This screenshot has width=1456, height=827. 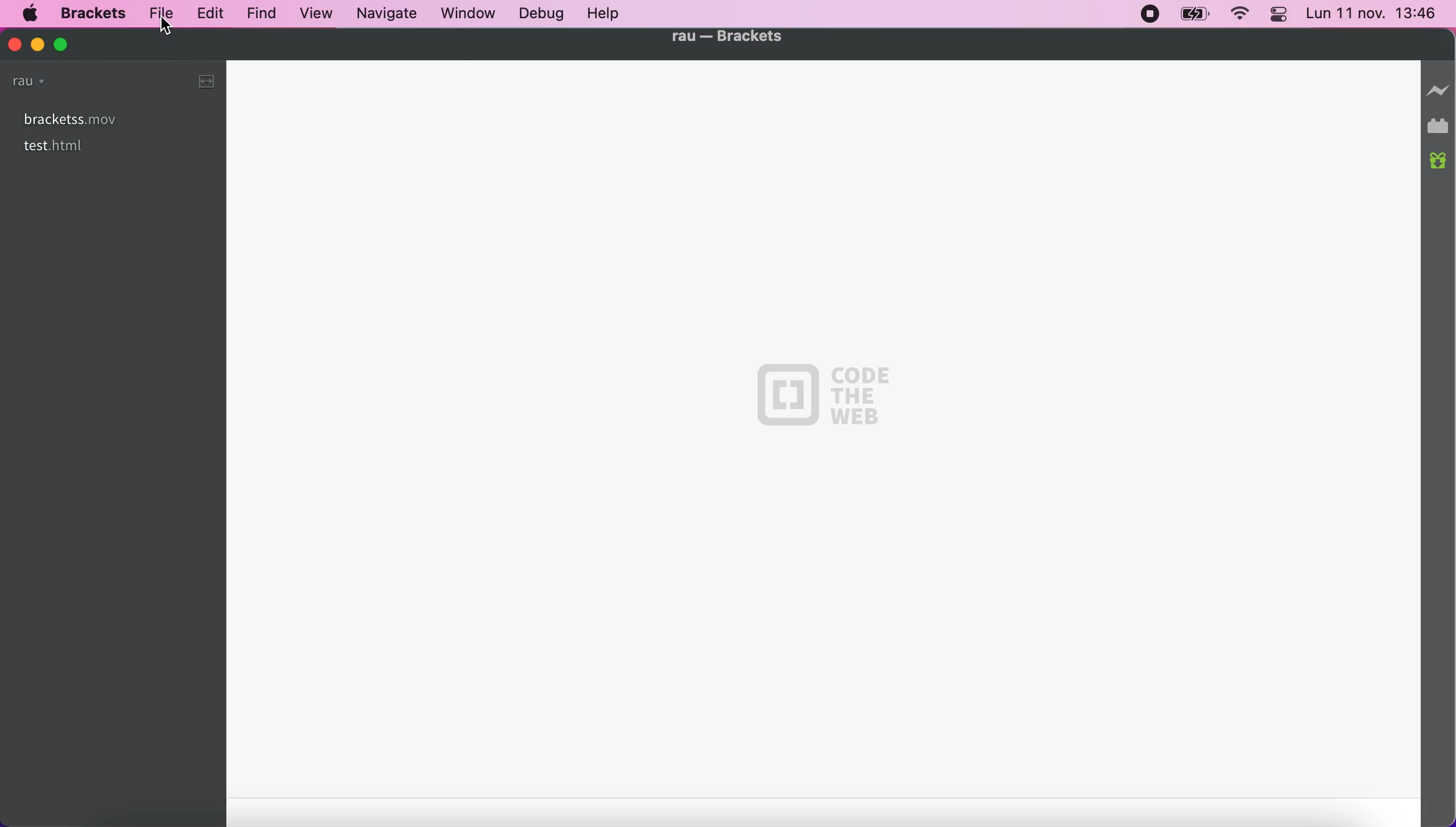 I want to click on navigate, so click(x=388, y=14).